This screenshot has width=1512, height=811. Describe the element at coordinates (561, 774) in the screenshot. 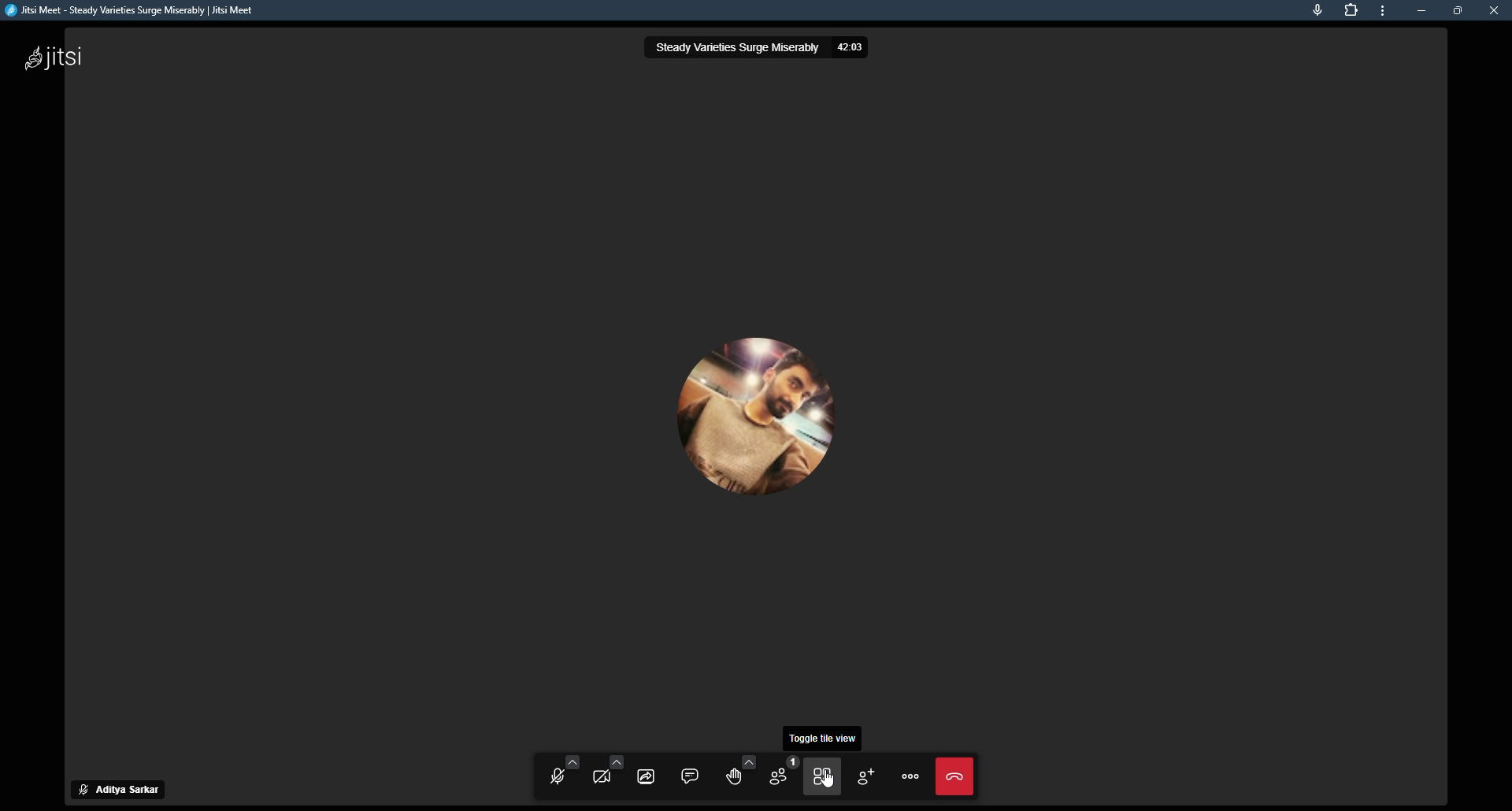

I see `start mic` at that location.